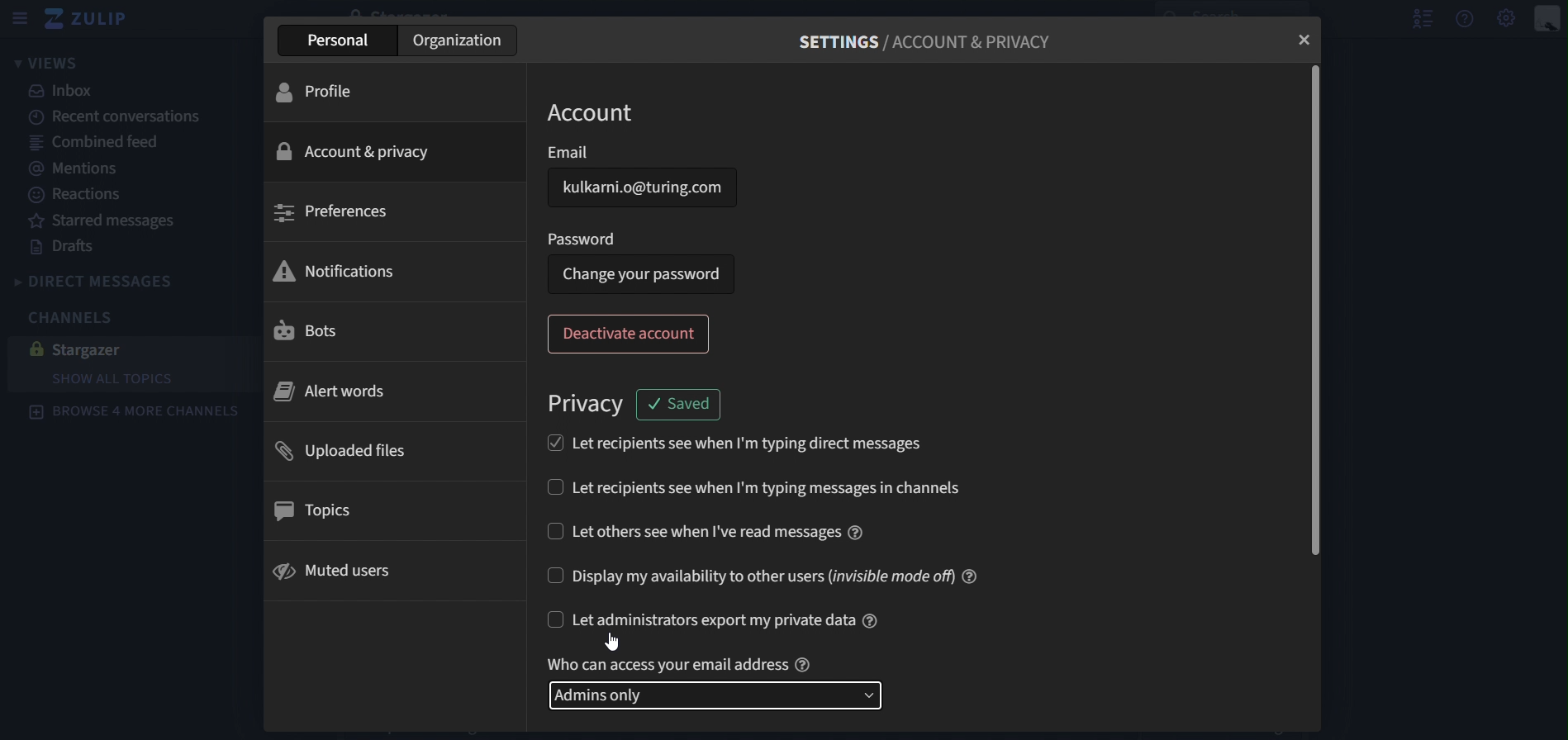 Image resolution: width=1568 pixels, height=740 pixels. I want to click on channels, so click(66, 316).